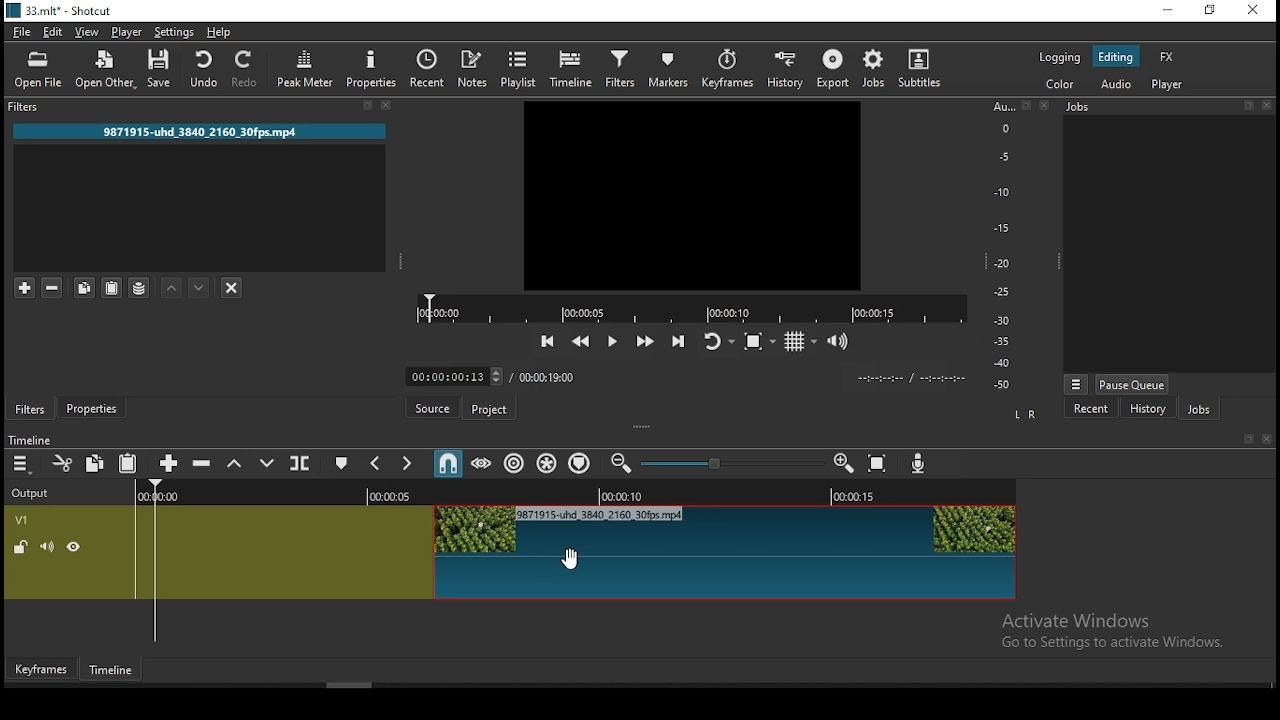 The width and height of the screenshot is (1280, 720). What do you see at coordinates (39, 71) in the screenshot?
I see `open file` at bounding box center [39, 71].